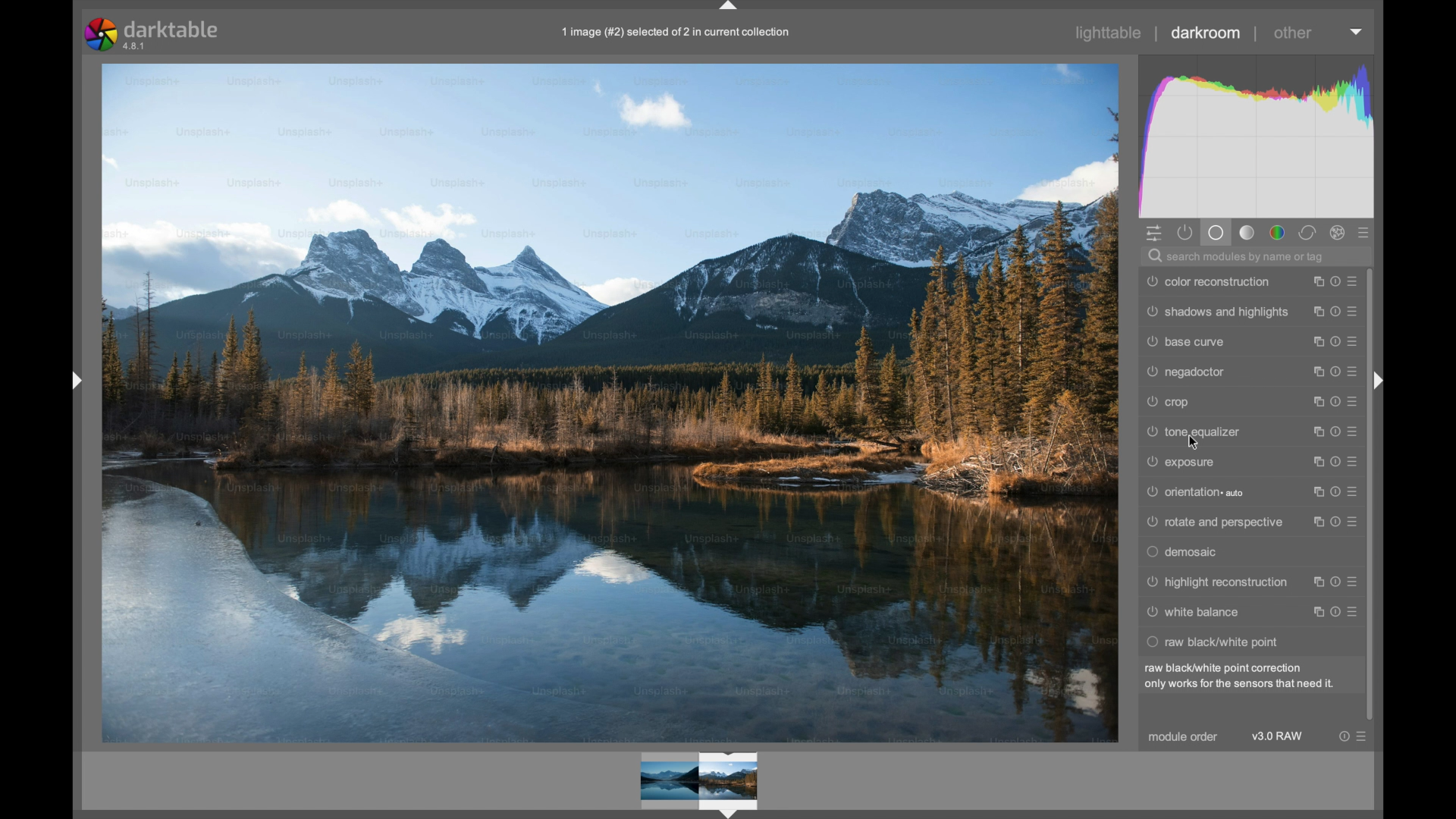 Image resolution: width=1456 pixels, height=819 pixels. Describe the element at coordinates (152, 34) in the screenshot. I see `darktable 4.8.1` at that location.